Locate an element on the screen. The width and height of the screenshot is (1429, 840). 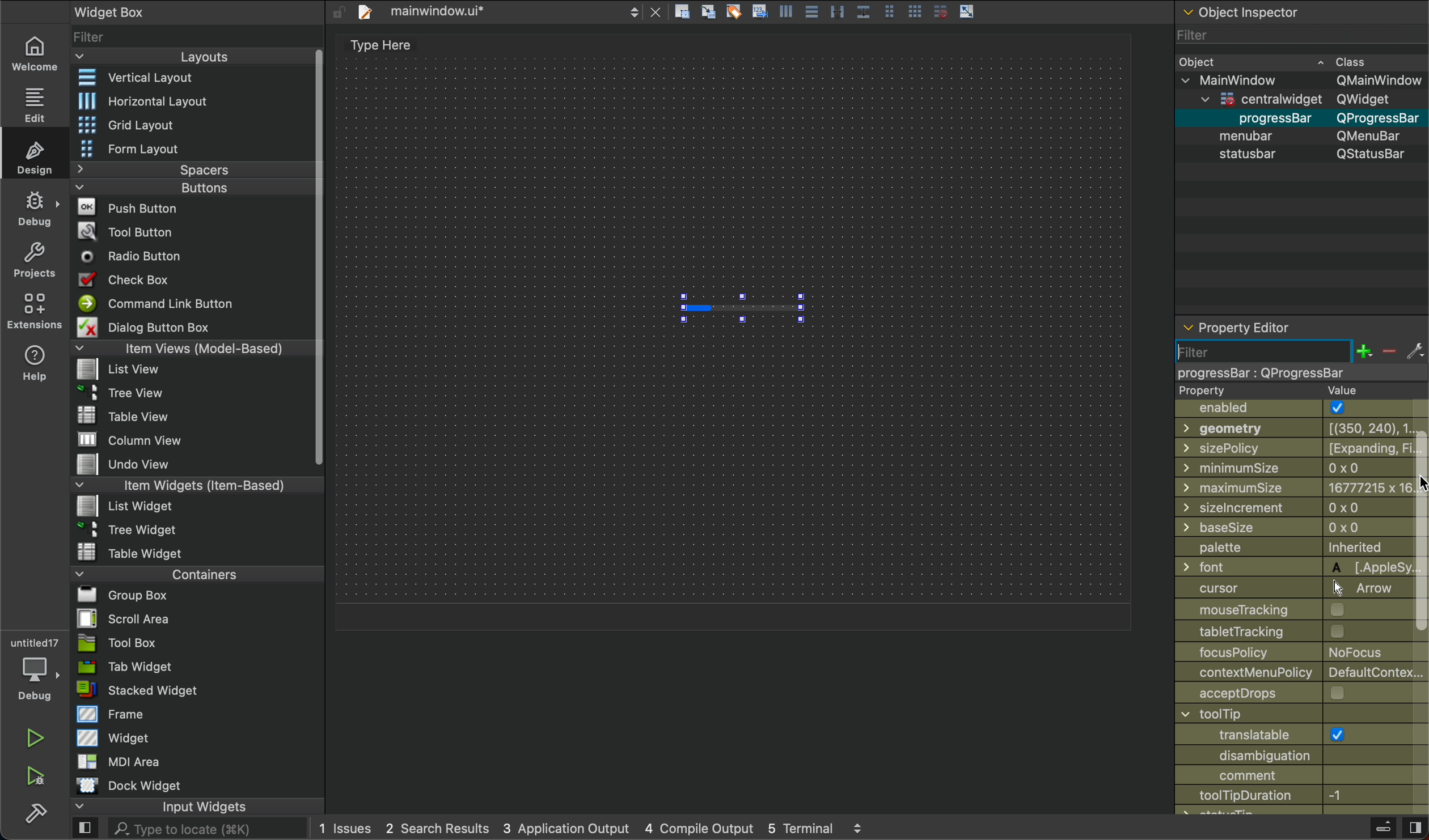
Stack Widget is located at coordinates (177, 690).